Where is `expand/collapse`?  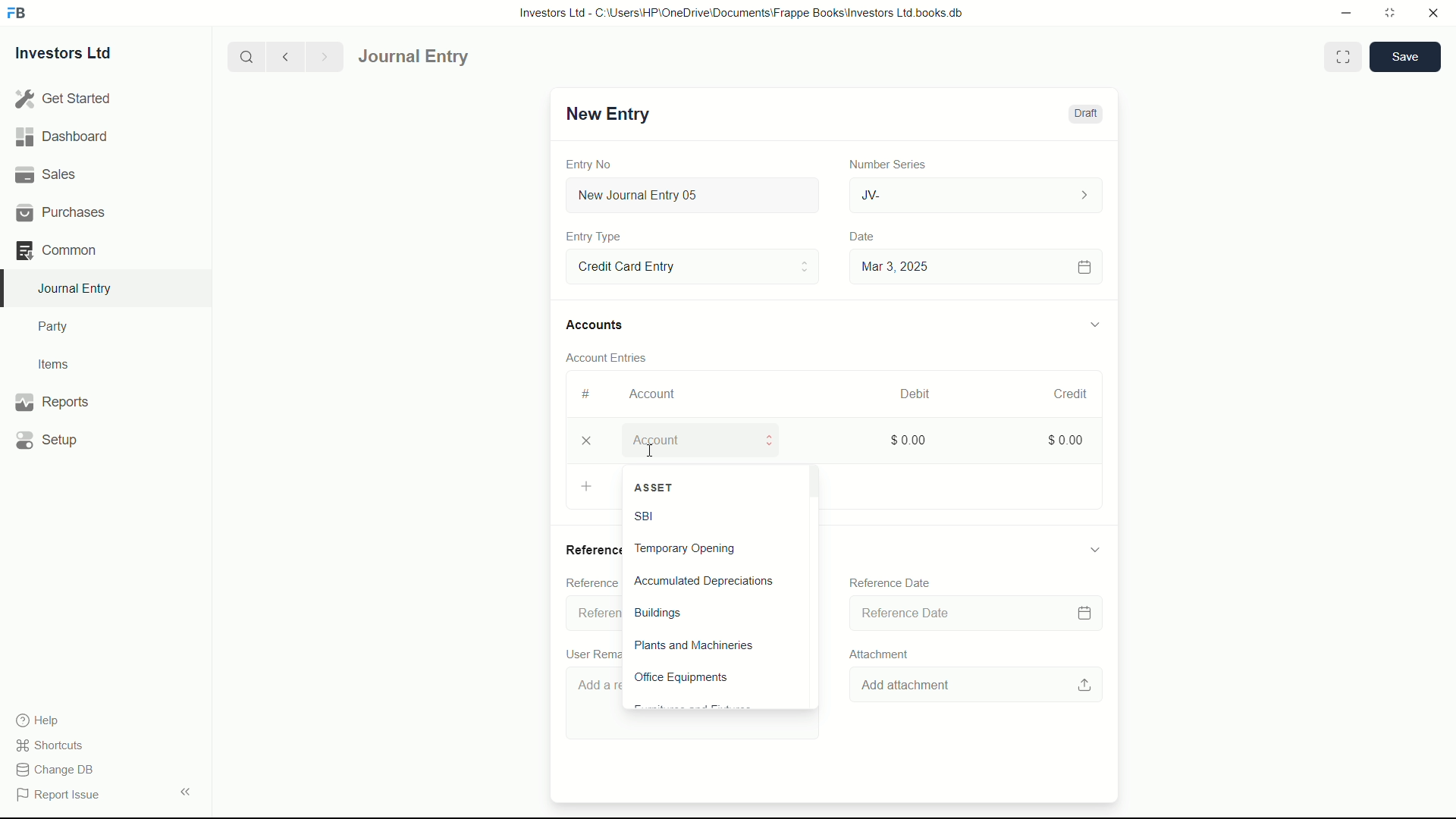
expand/collapse is located at coordinates (1094, 322).